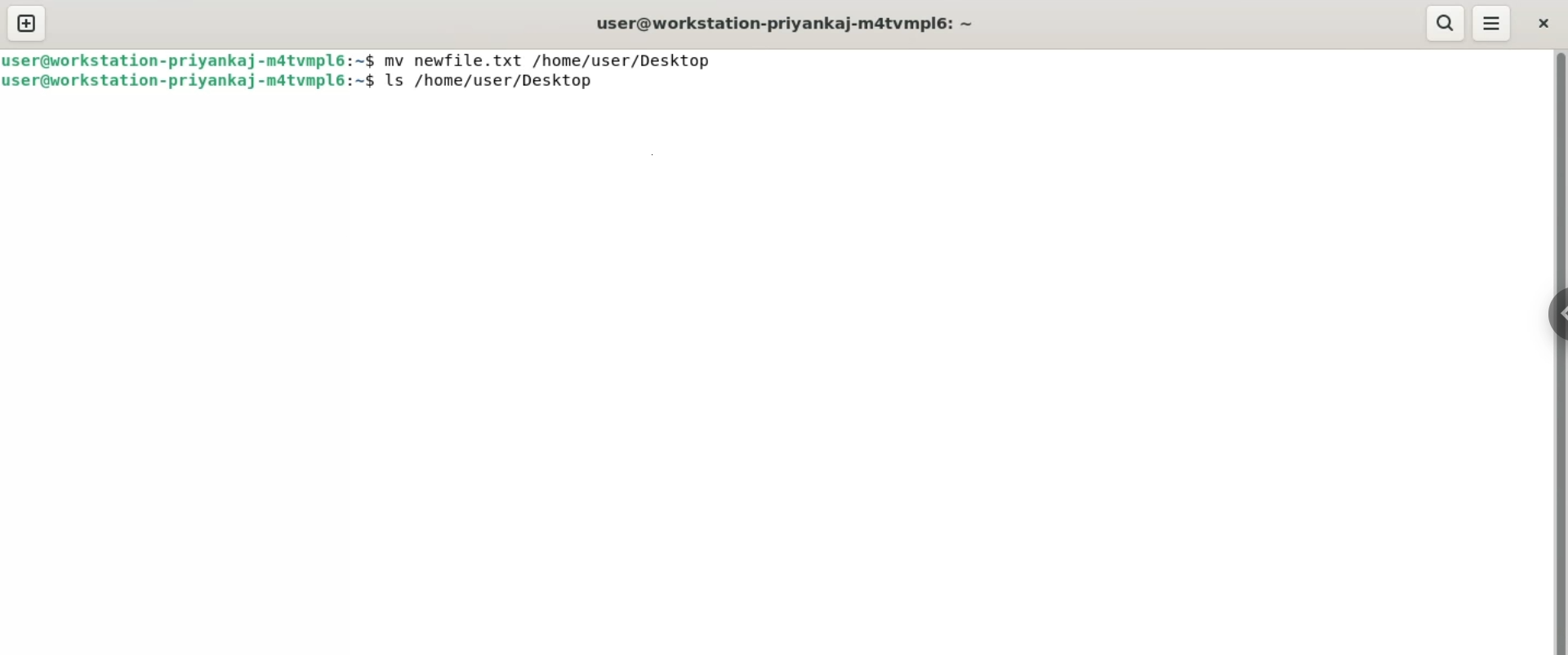  Describe the element at coordinates (1441, 24) in the screenshot. I see `search` at that location.